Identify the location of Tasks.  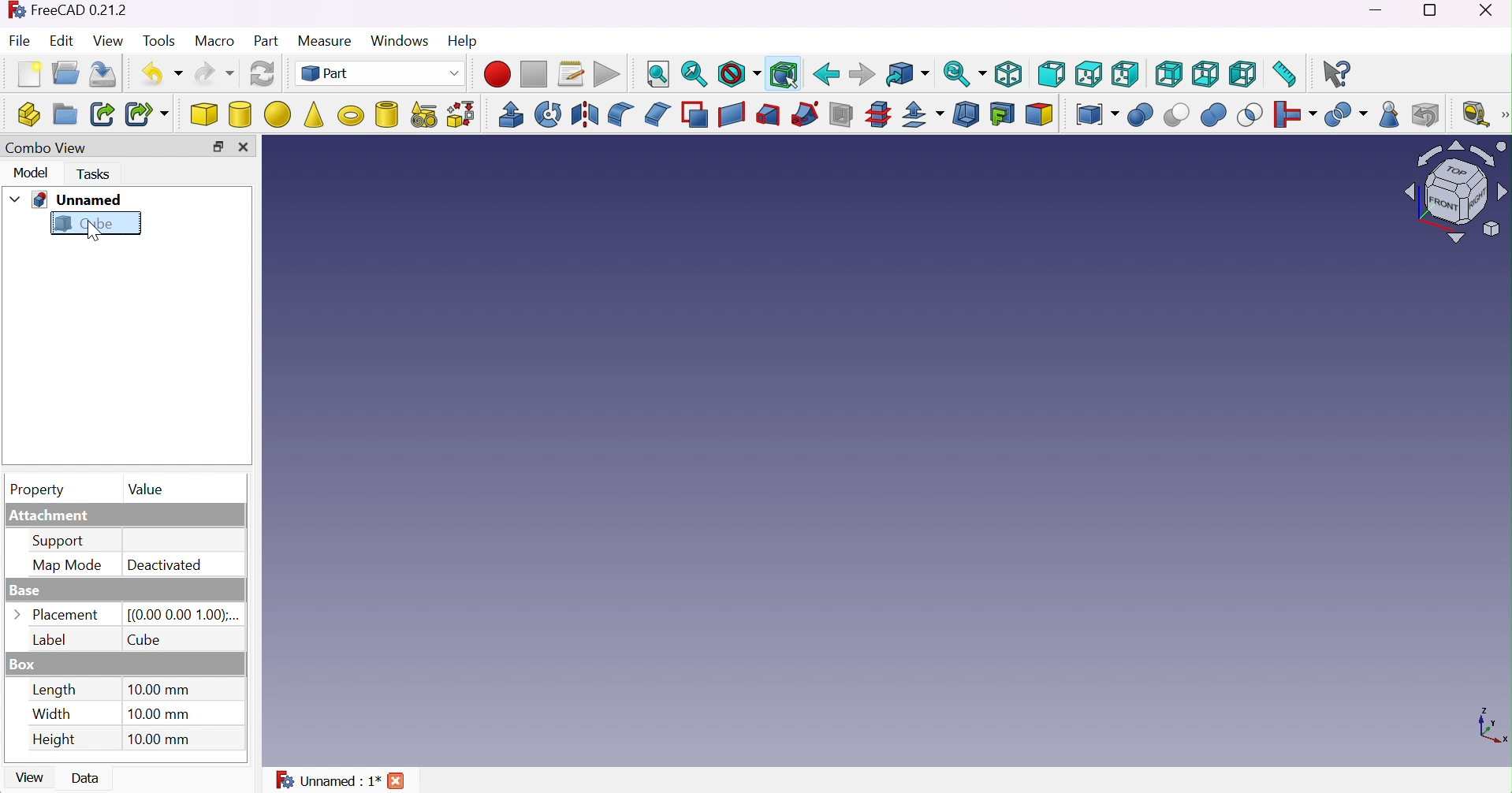
(96, 174).